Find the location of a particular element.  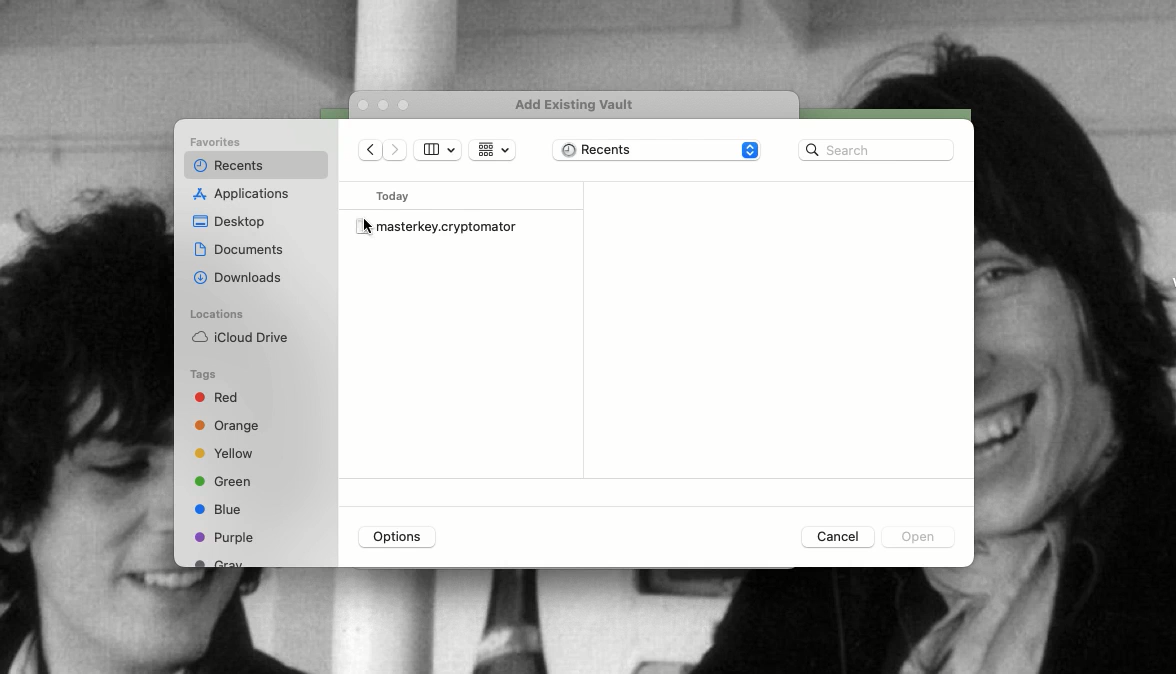

Favorites is located at coordinates (219, 143).